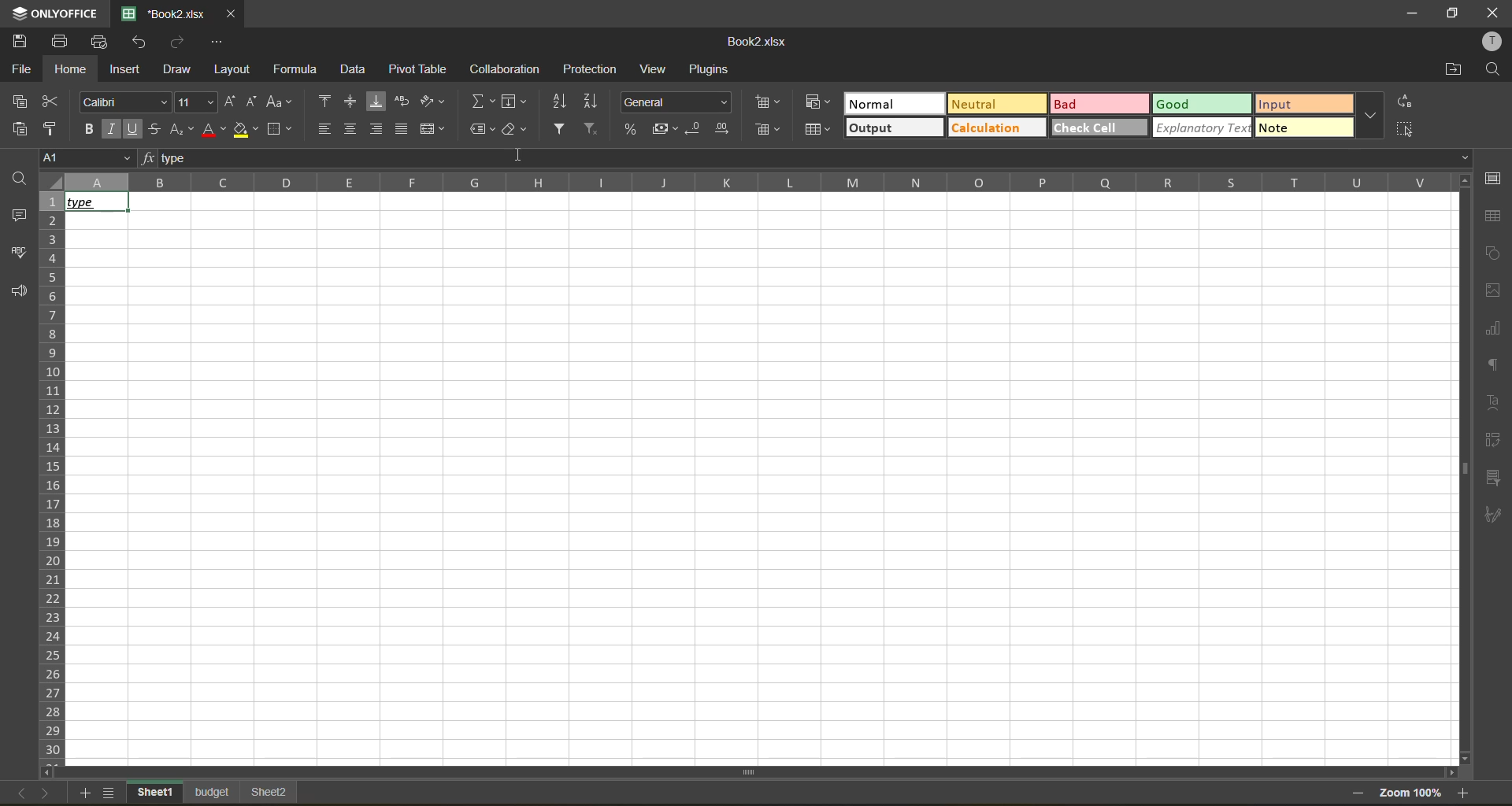 The width and height of the screenshot is (1512, 806). I want to click on home, so click(70, 70).